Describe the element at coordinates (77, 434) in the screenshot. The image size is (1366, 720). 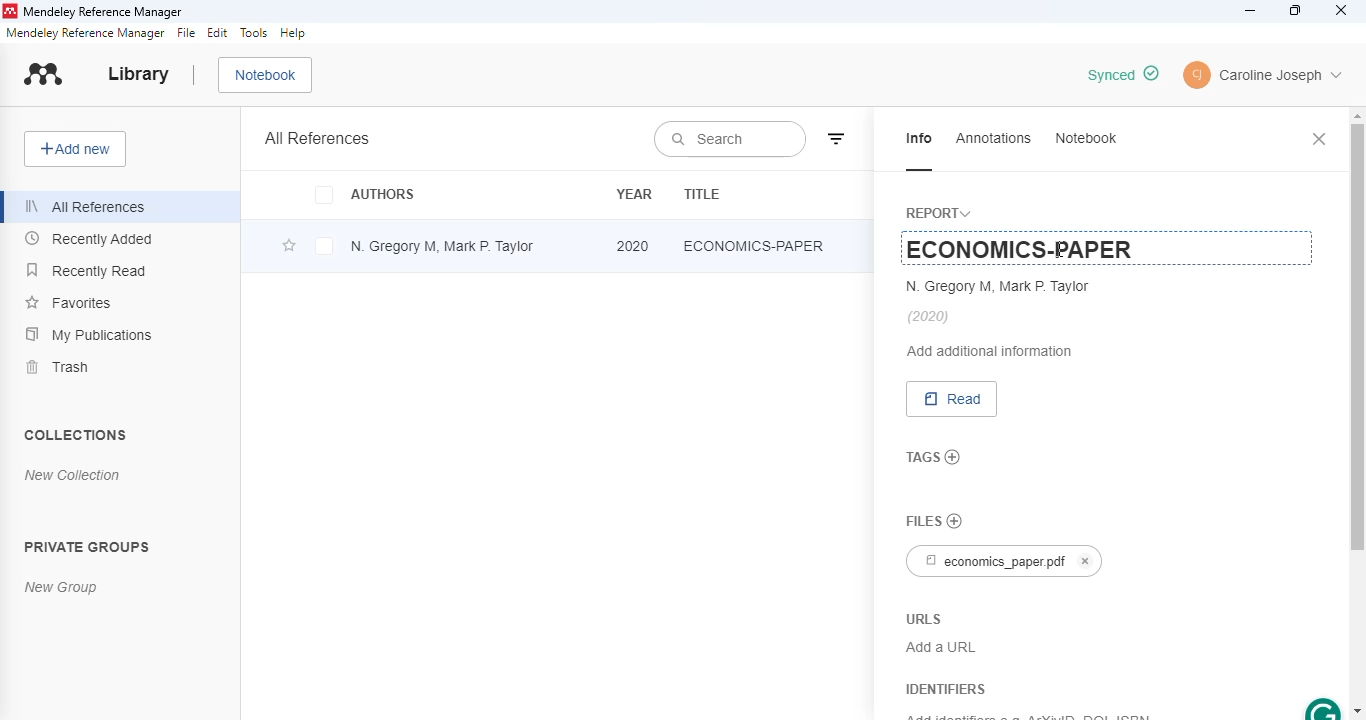
I see `collections` at that location.